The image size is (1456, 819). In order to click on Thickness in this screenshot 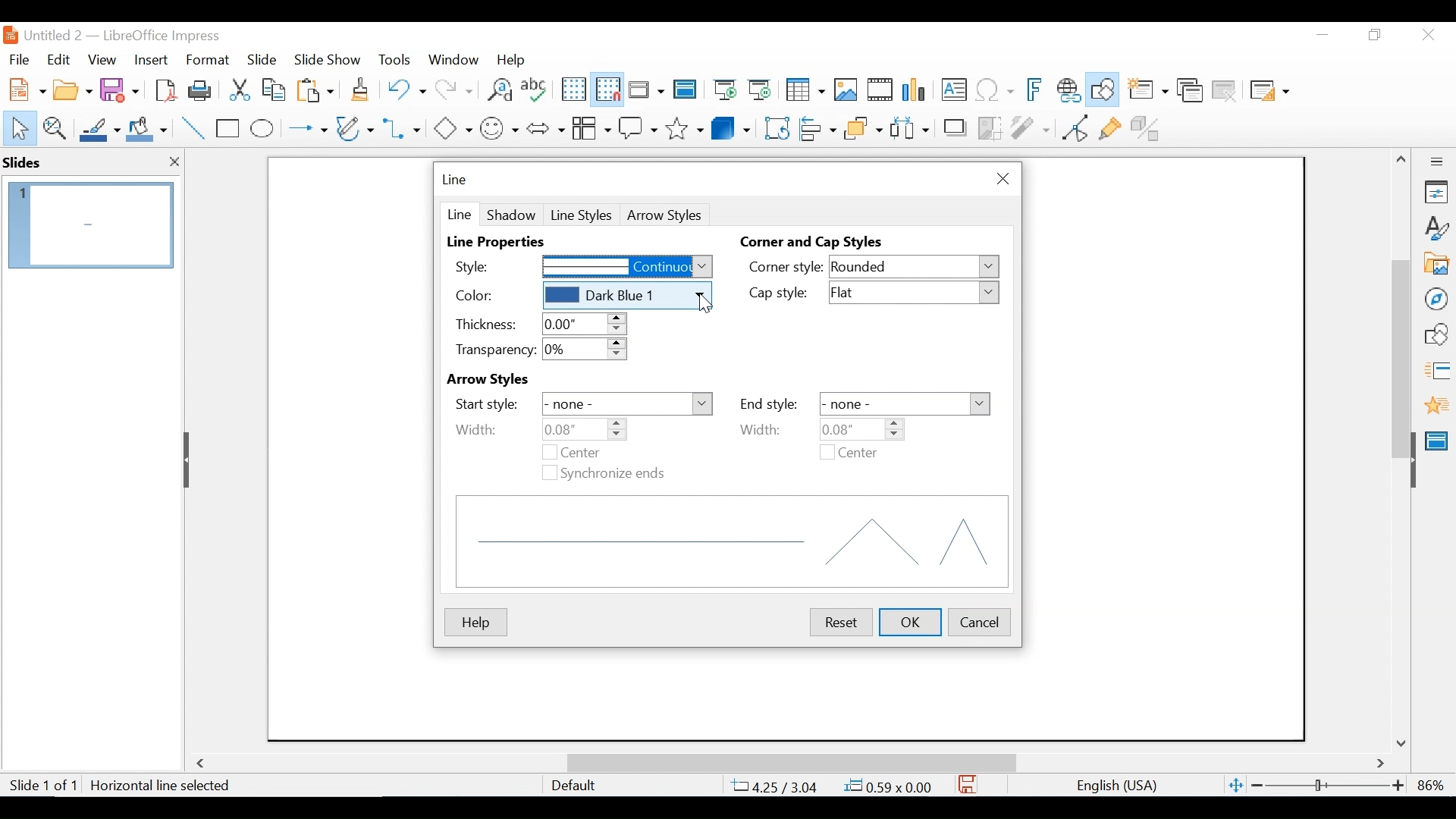, I will do `click(485, 324)`.